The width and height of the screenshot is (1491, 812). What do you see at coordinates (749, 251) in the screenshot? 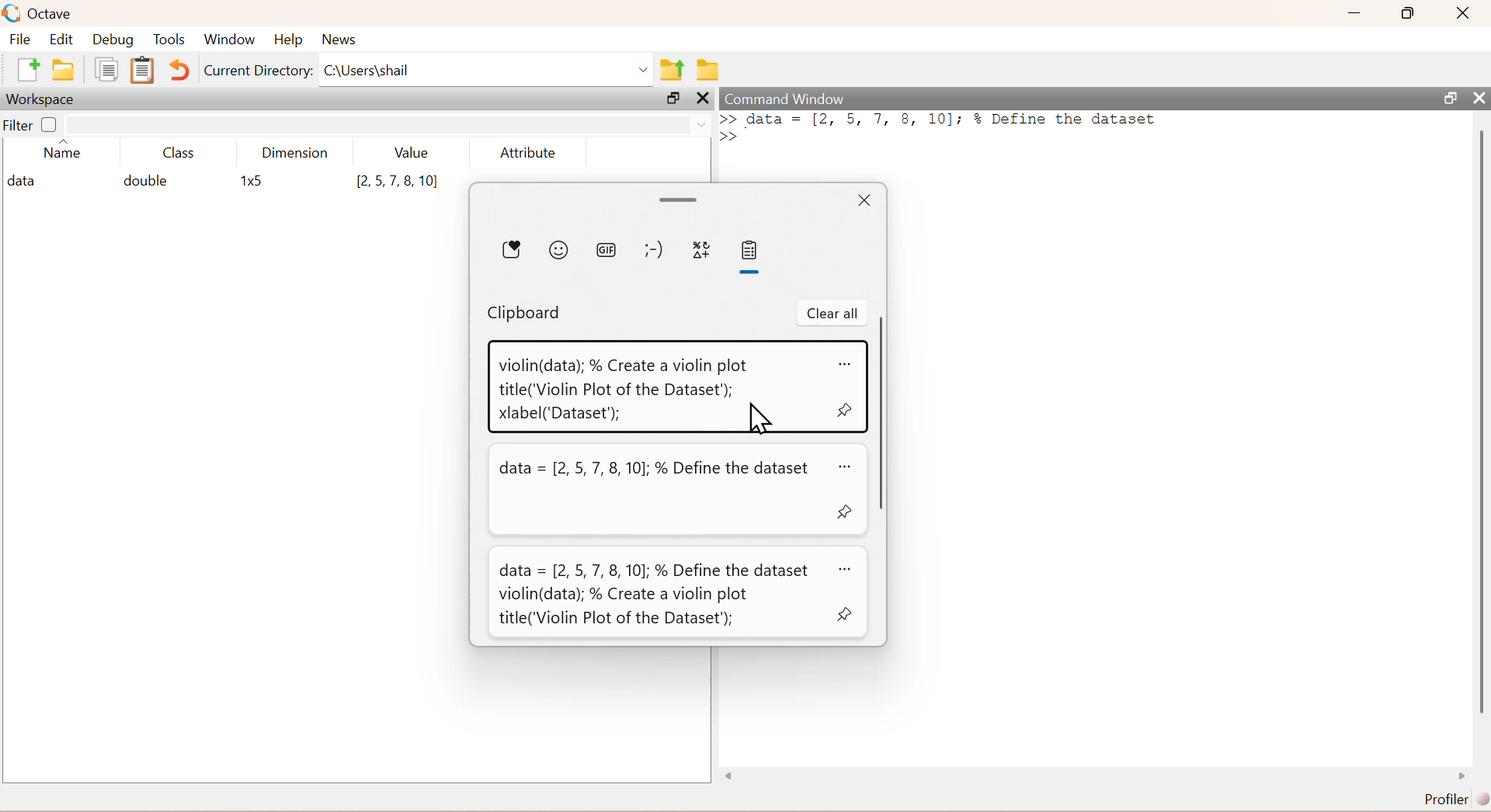
I see `Clipboard ` at bounding box center [749, 251].